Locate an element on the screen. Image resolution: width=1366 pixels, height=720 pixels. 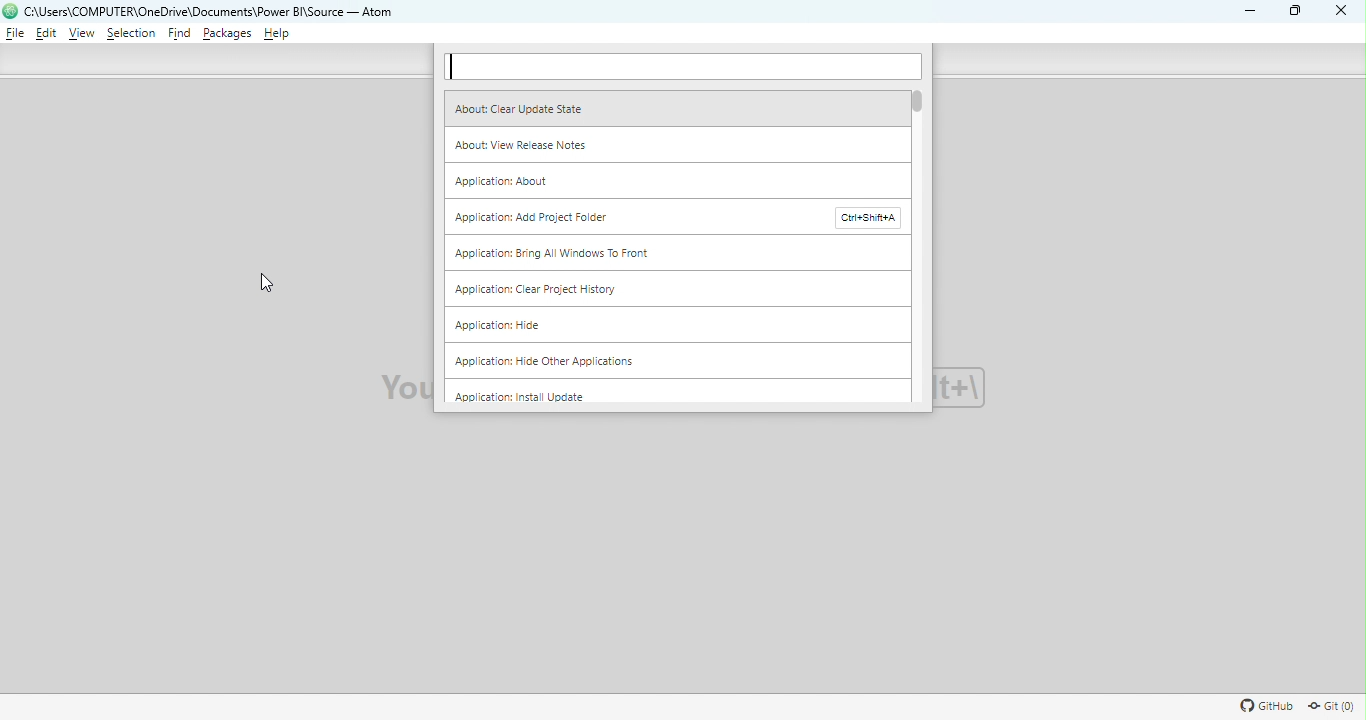
Application: Clear project history is located at coordinates (683, 287).